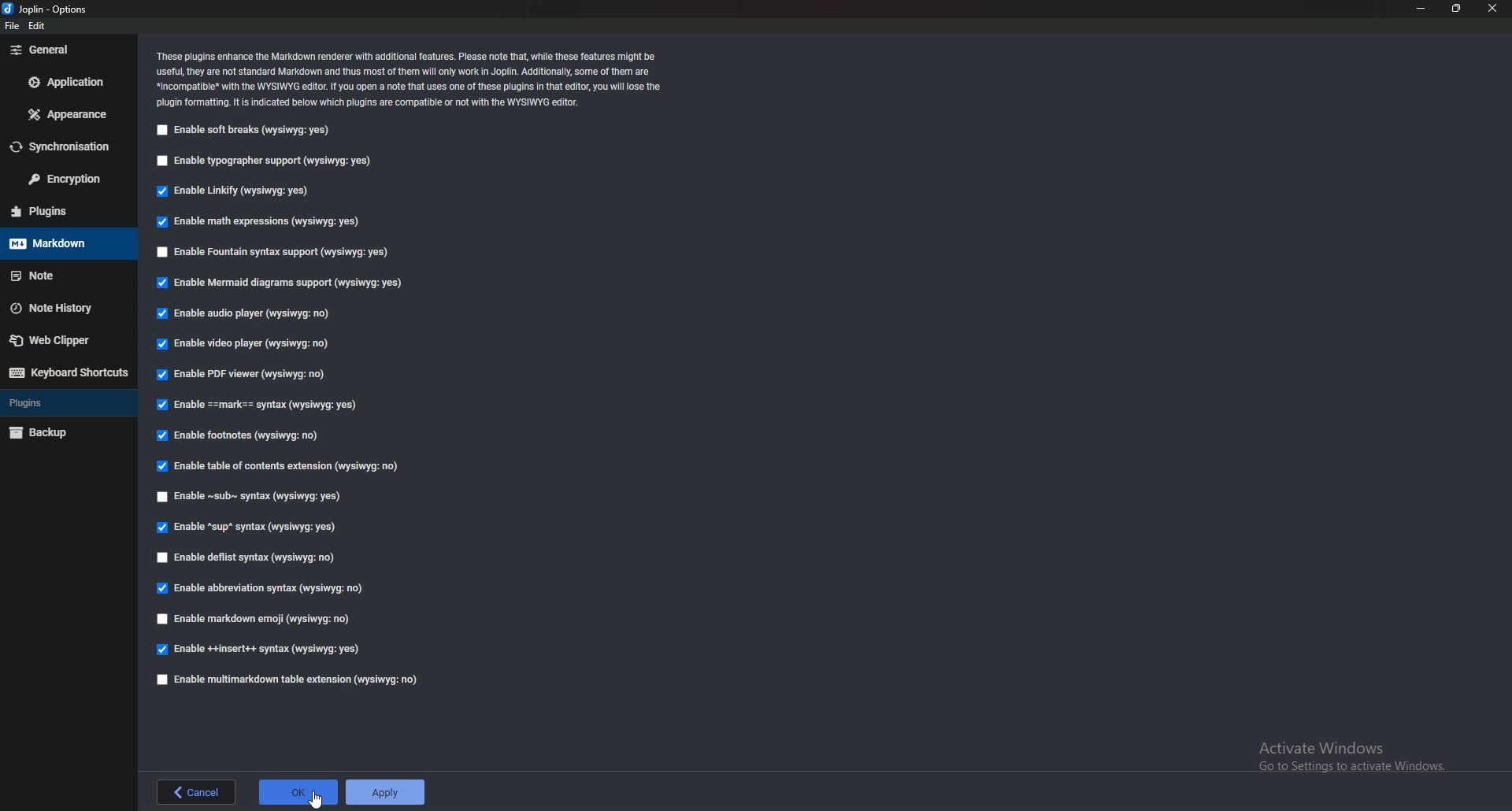  Describe the element at coordinates (65, 210) in the screenshot. I see `plugins` at that location.